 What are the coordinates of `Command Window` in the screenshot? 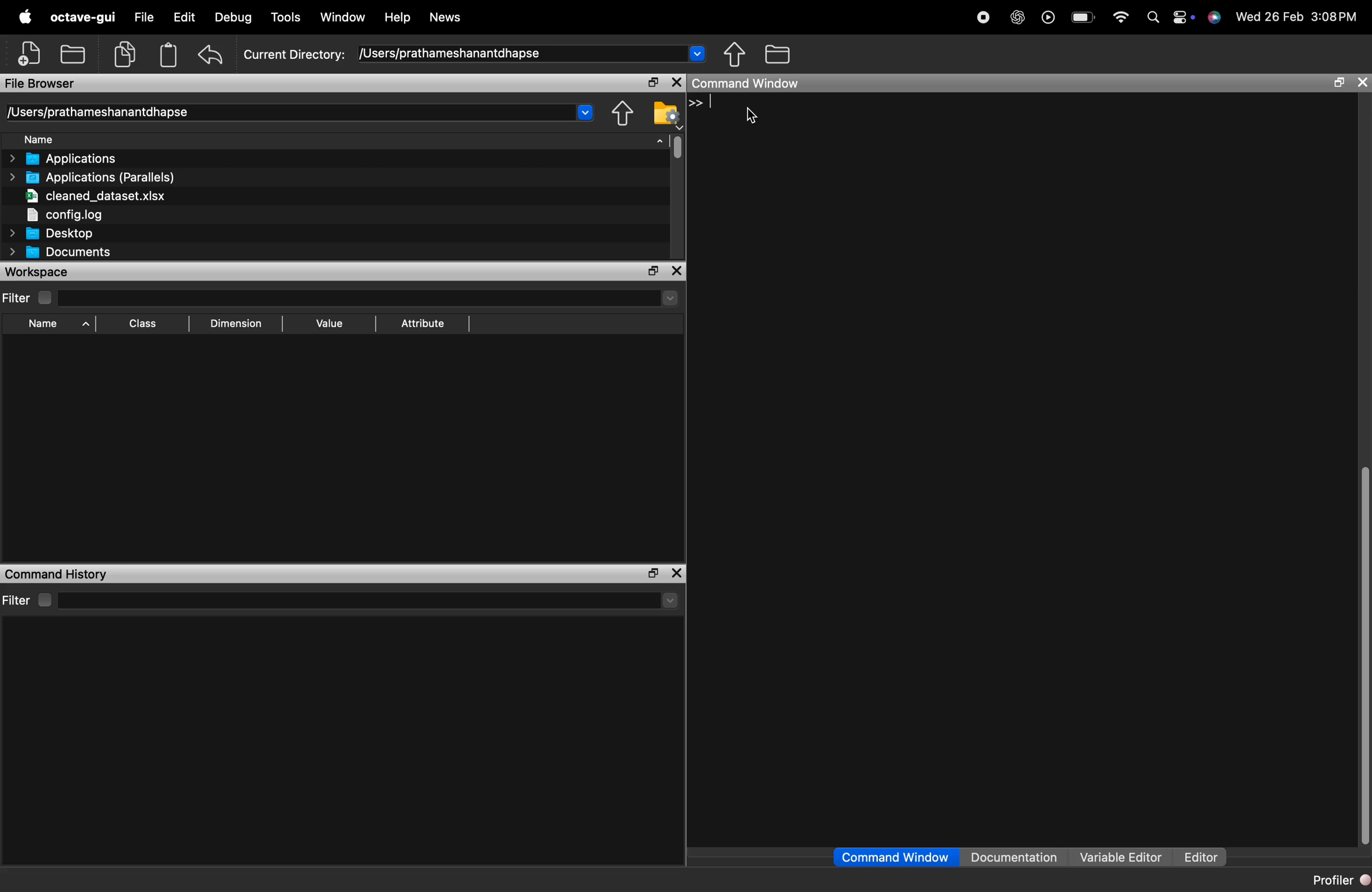 It's located at (894, 858).